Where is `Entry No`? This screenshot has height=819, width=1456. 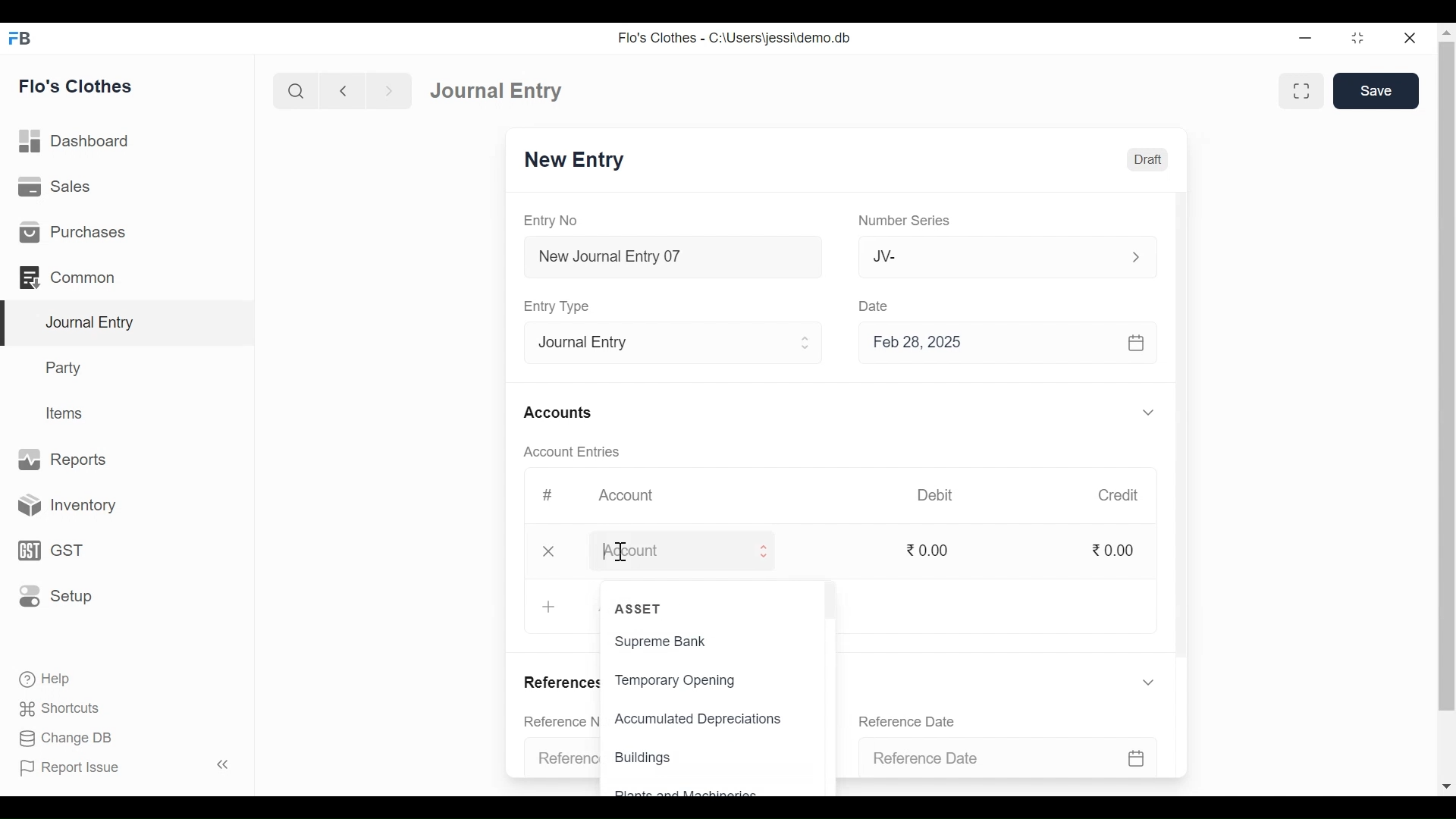
Entry No is located at coordinates (551, 221).